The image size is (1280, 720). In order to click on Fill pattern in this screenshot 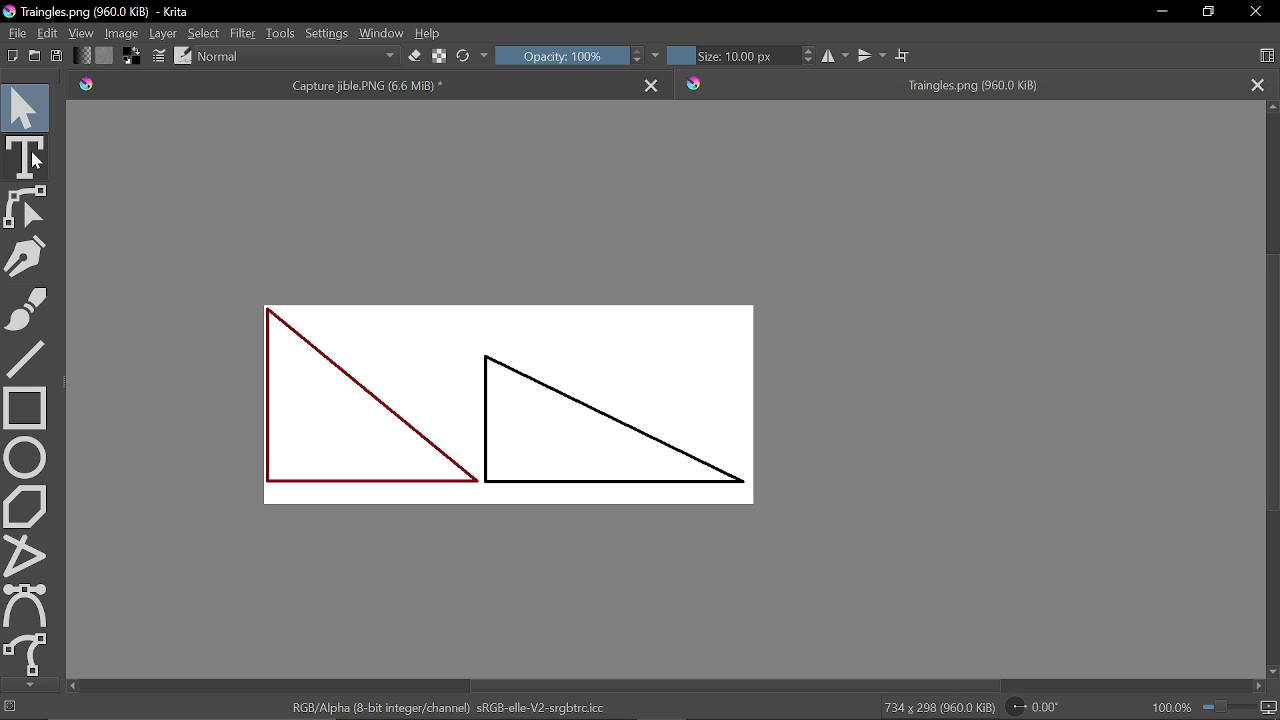, I will do `click(104, 56)`.